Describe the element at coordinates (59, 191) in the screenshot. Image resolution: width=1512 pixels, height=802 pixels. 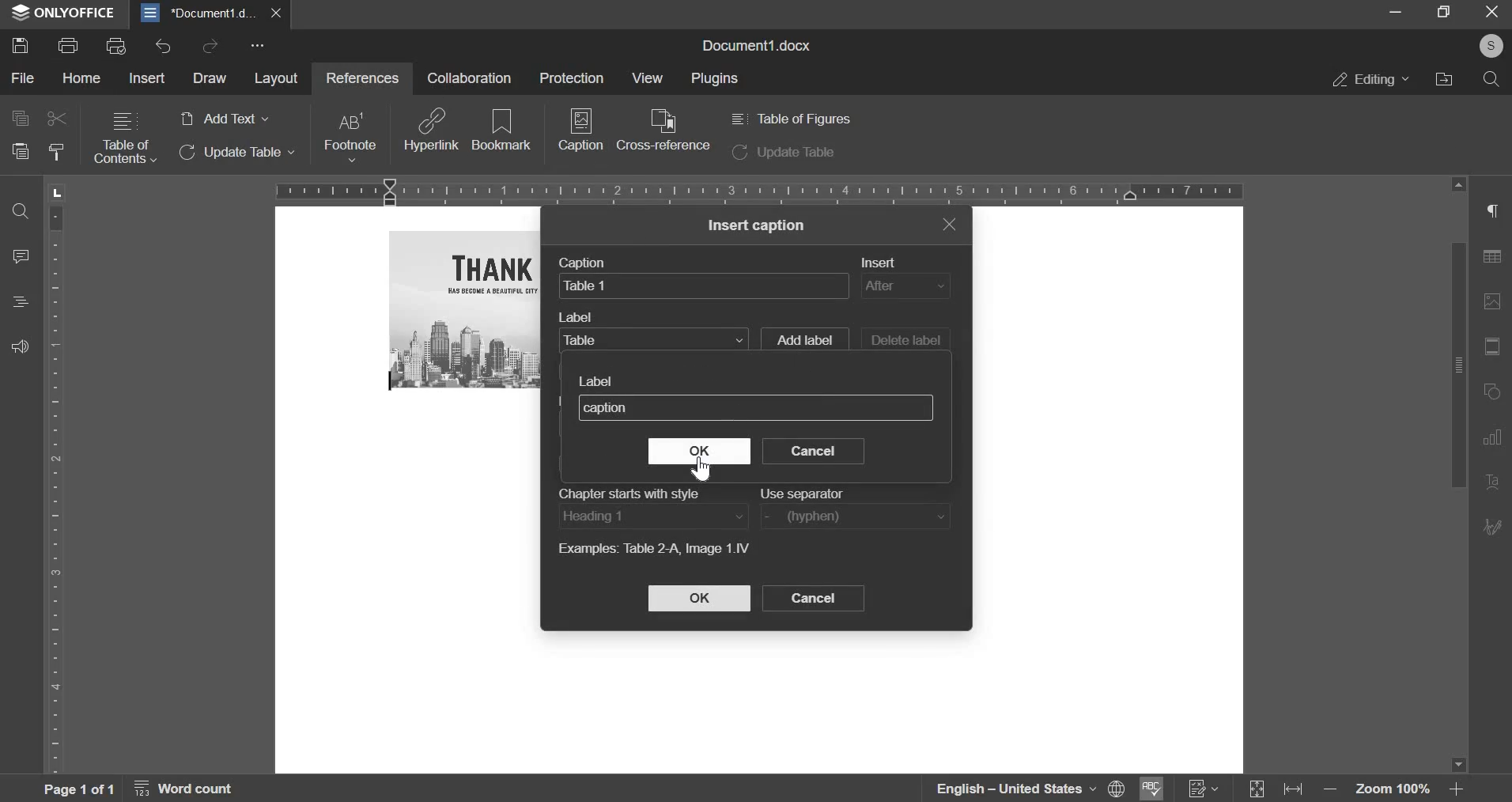
I see `L` at that location.